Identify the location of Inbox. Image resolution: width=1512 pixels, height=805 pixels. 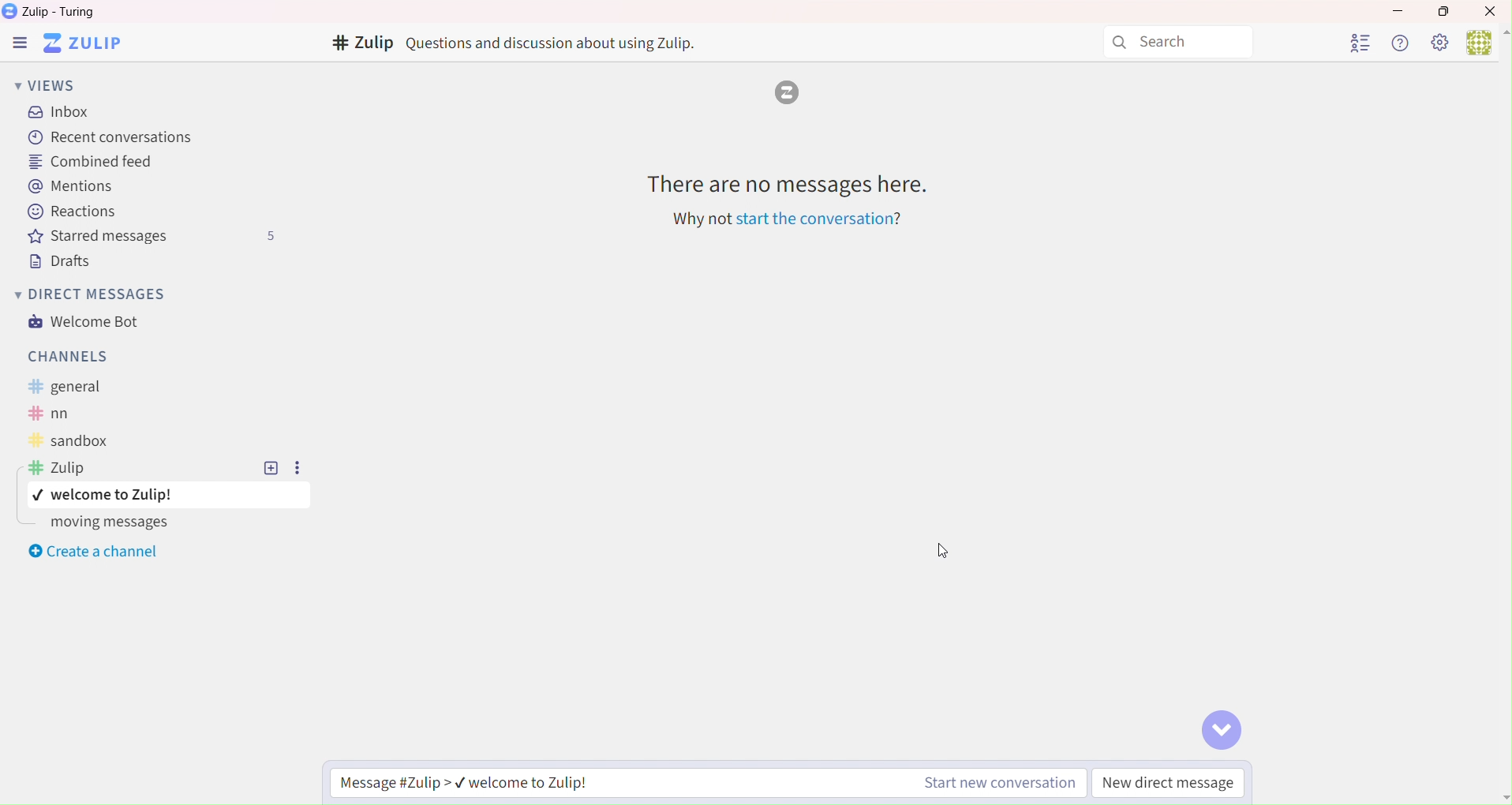
(58, 113).